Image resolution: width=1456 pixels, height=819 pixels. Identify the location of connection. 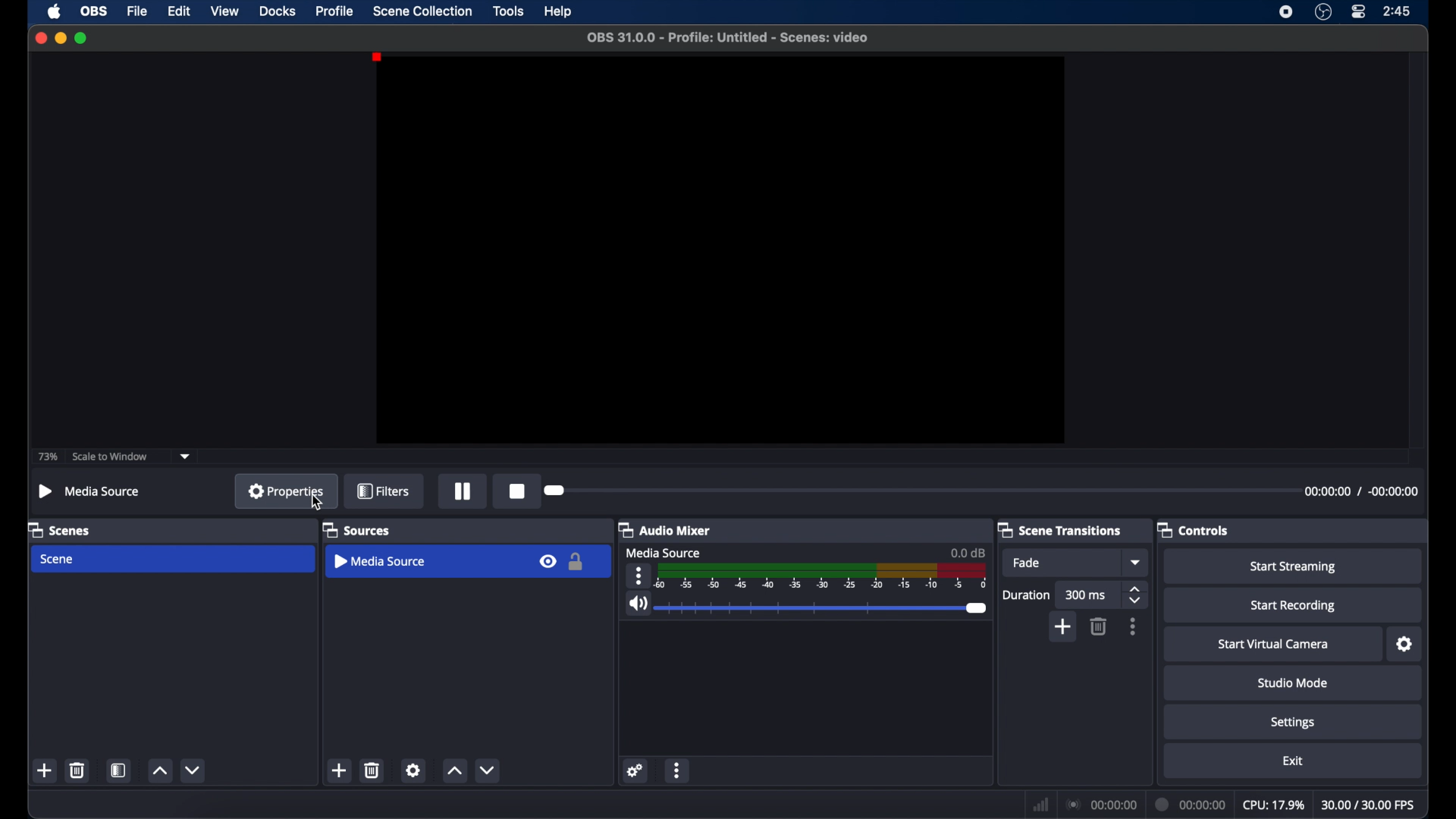
(1101, 803).